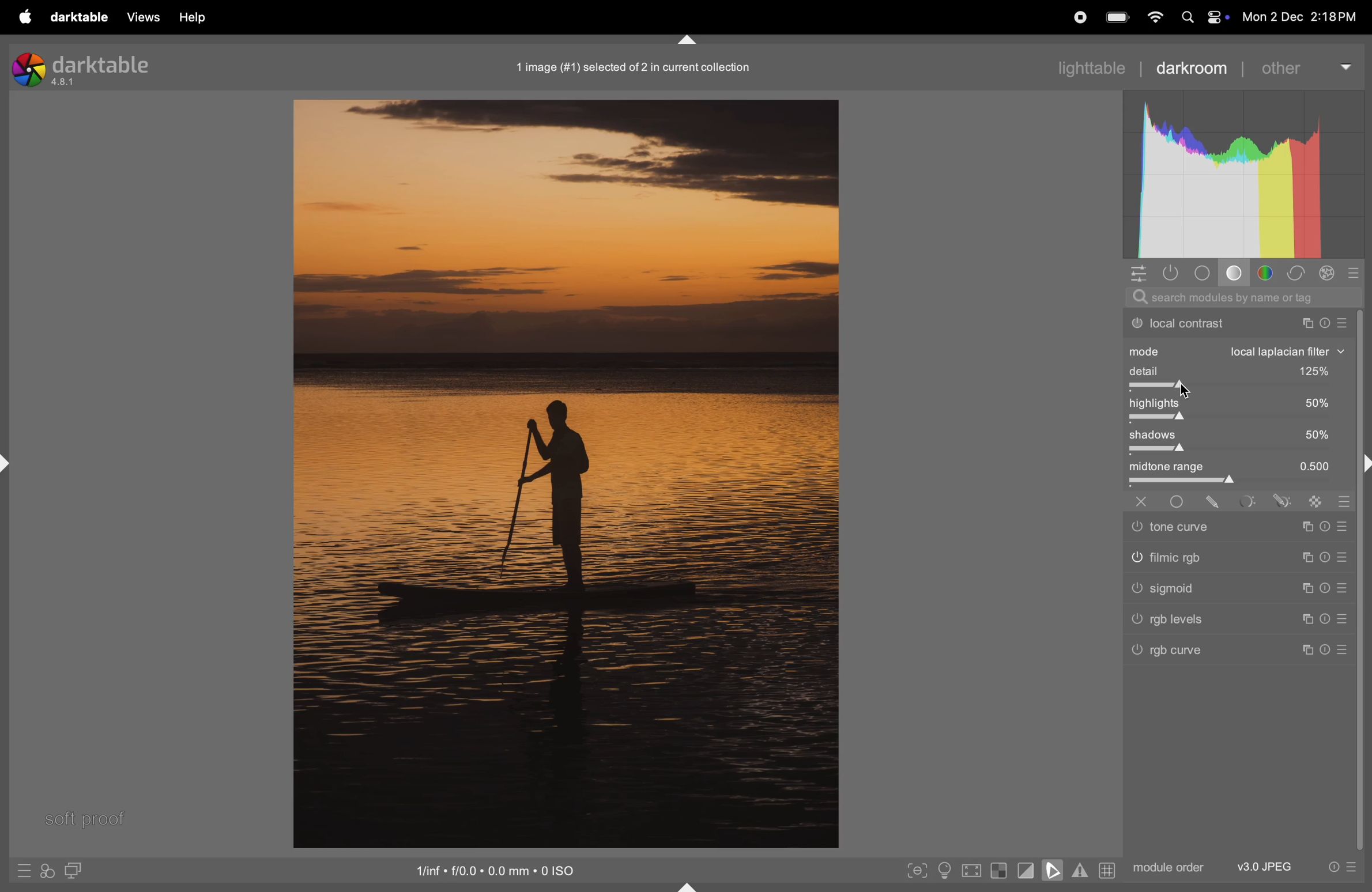  I want to click on sign , so click(1345, 618).